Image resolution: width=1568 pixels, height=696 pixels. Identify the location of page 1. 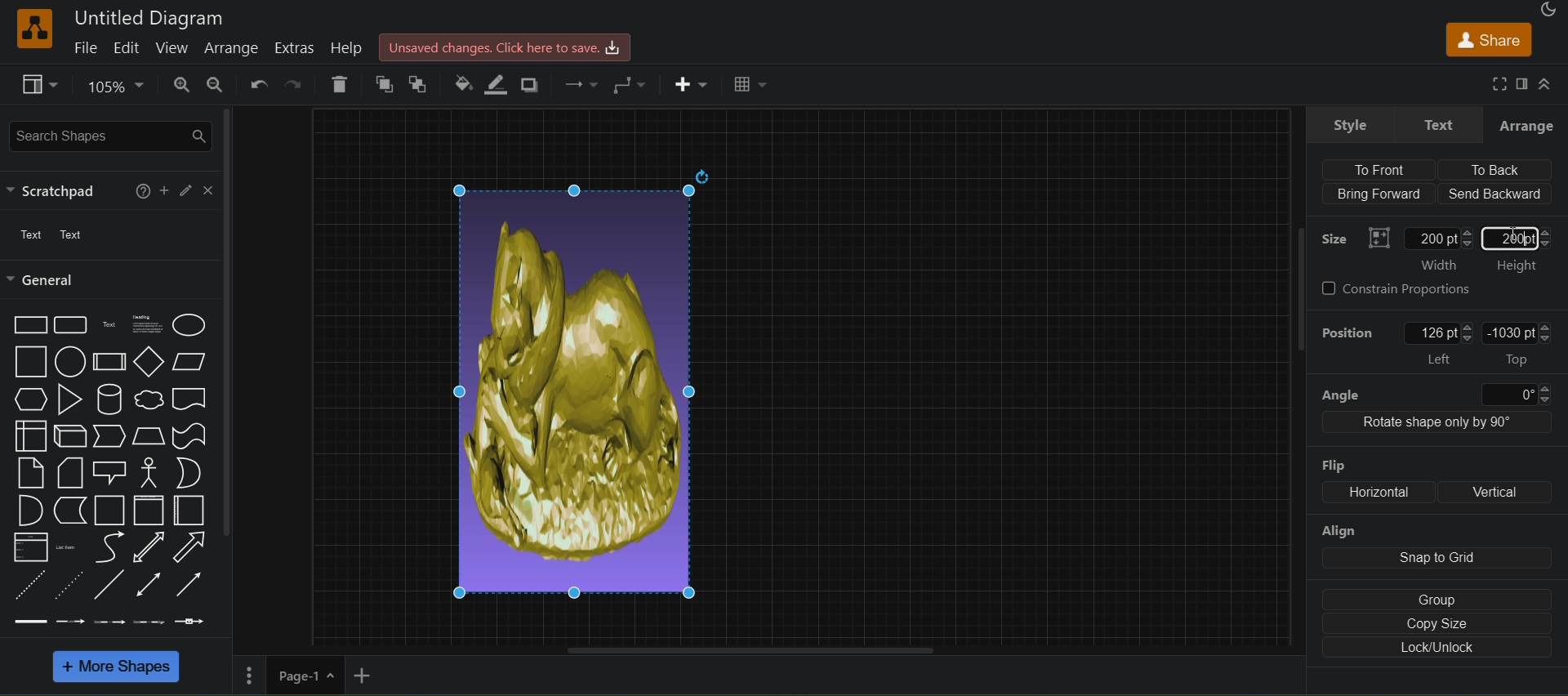
(307, 676).